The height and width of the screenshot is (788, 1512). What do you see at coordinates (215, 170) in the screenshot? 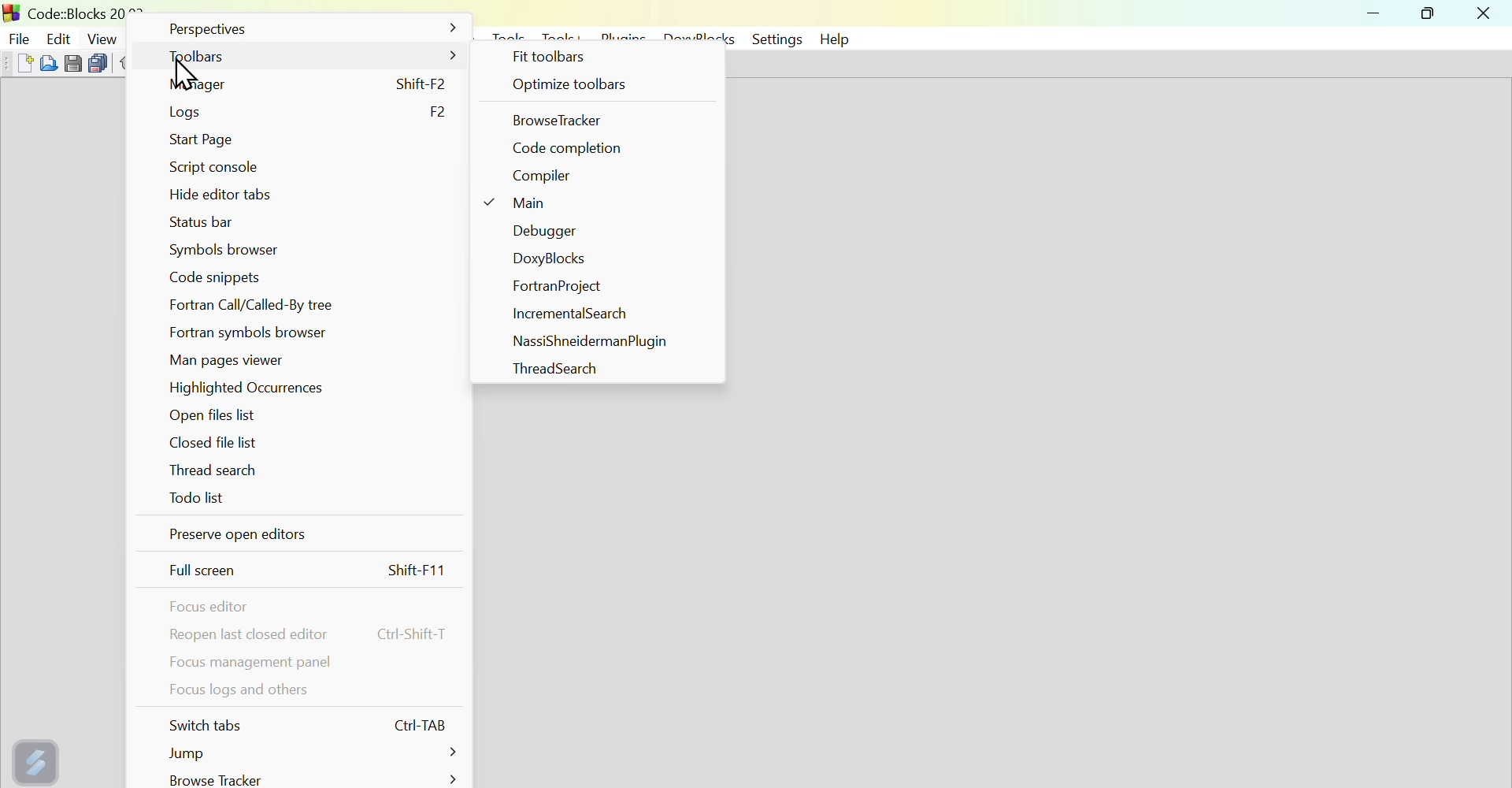
I see `Script console` at bounding box center [215, 170].